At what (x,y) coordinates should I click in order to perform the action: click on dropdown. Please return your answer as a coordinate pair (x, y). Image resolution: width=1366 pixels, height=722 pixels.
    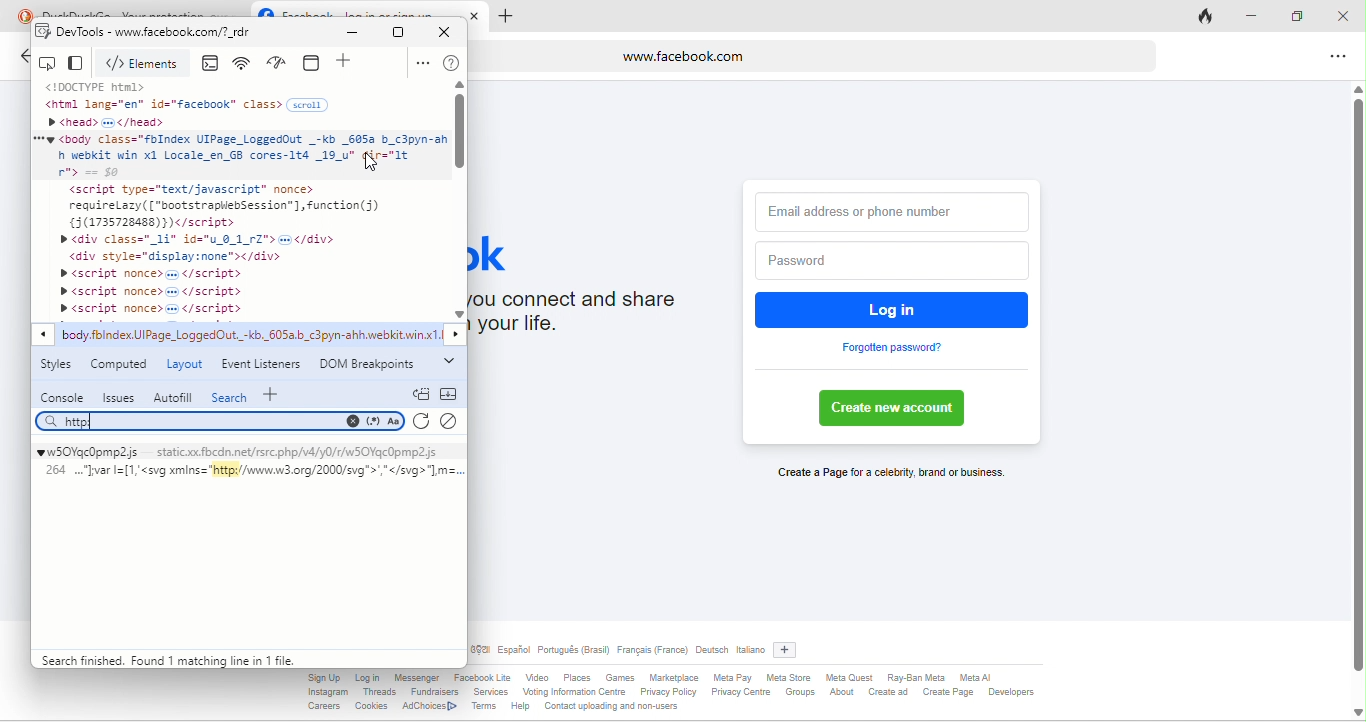
    Looking at the image, I should click on (448, 362).